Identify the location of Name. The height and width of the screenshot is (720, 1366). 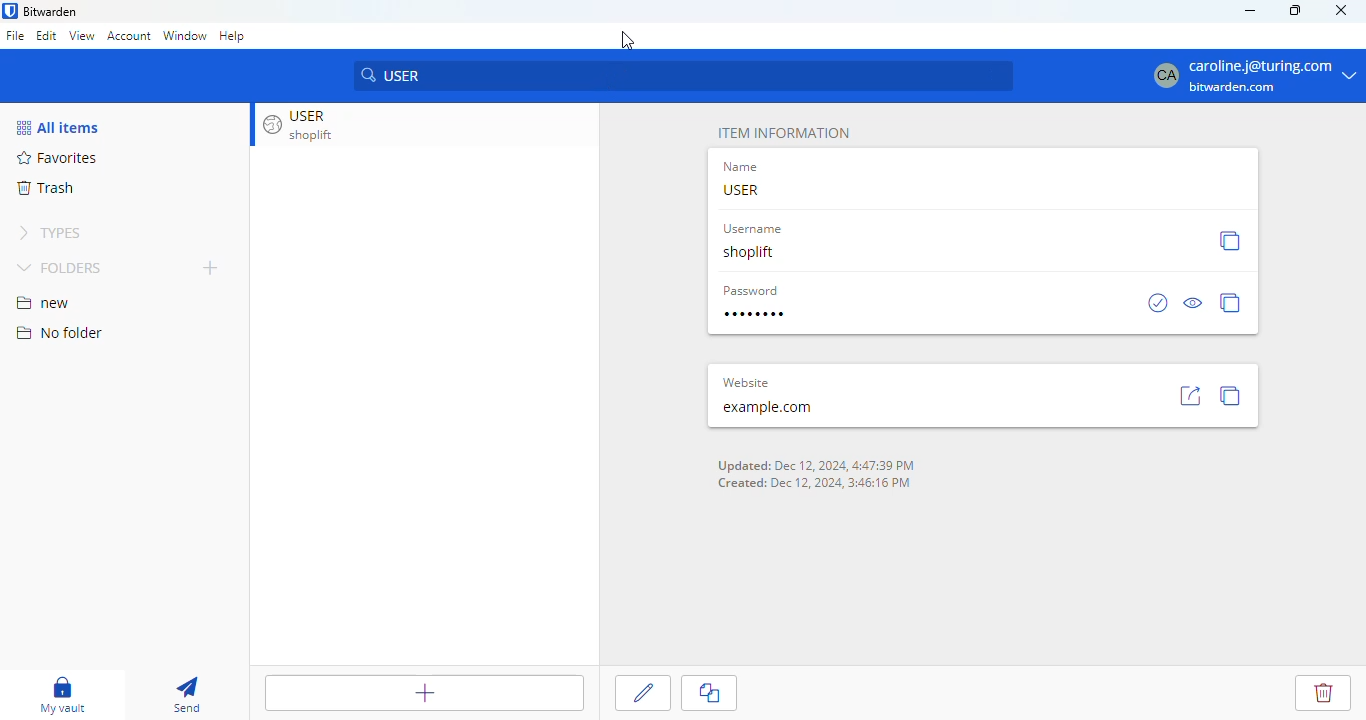
(742, 167).